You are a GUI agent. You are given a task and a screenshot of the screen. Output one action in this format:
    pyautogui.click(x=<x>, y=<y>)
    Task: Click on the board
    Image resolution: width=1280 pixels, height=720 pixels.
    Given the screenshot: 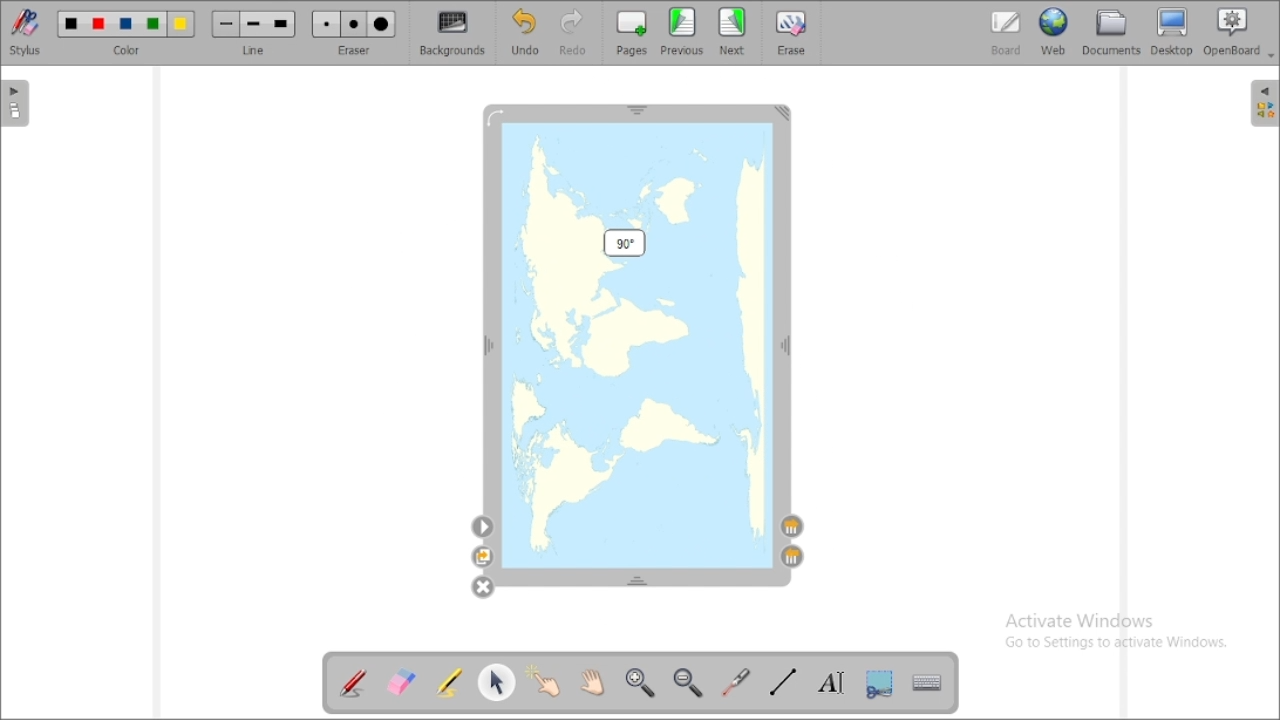 What is the action you would take?
    pyautogui.click(x=1006, y=33)
    